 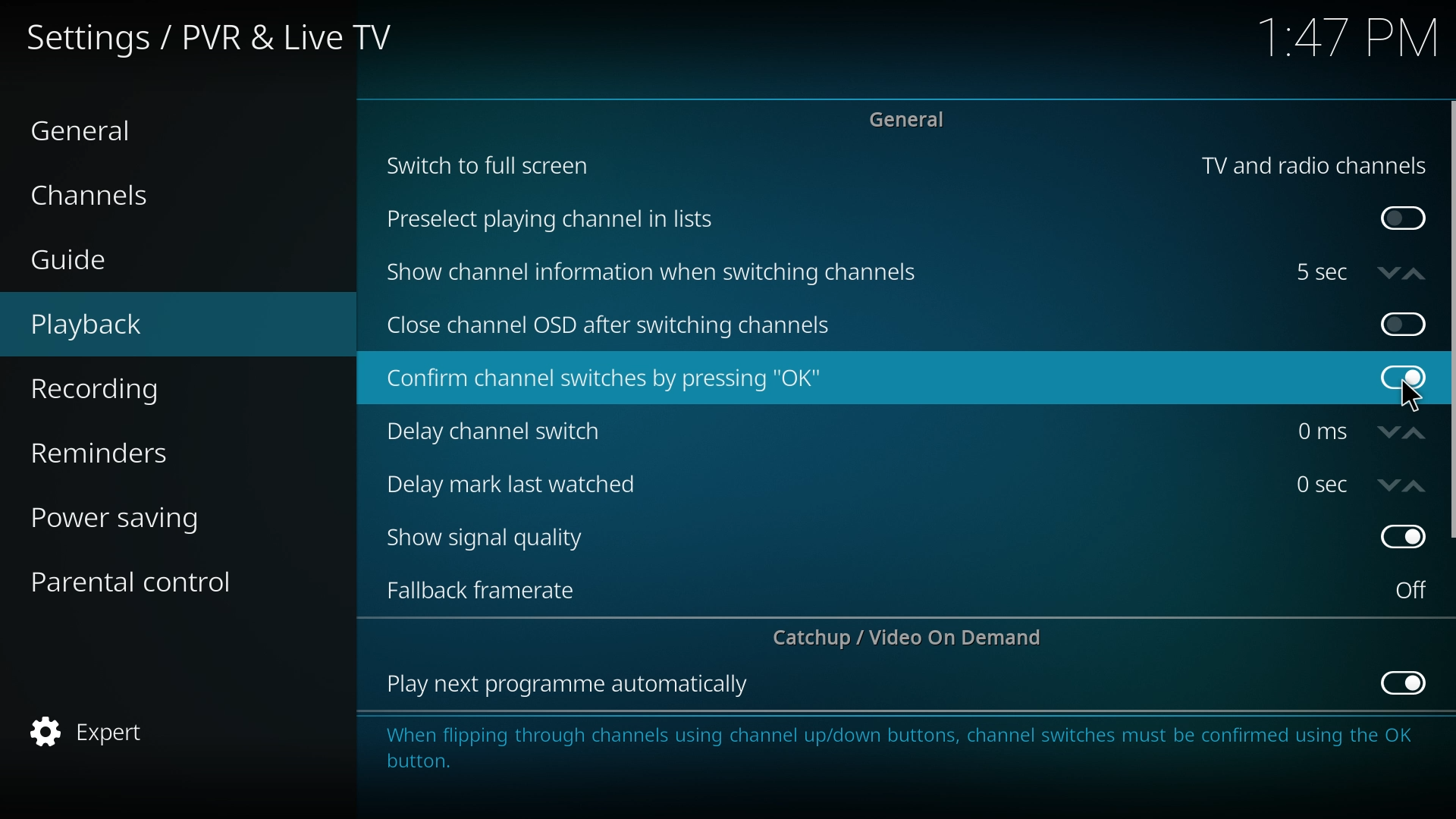 I want to click on tv and radio channels, so click(x=1313, y=166).